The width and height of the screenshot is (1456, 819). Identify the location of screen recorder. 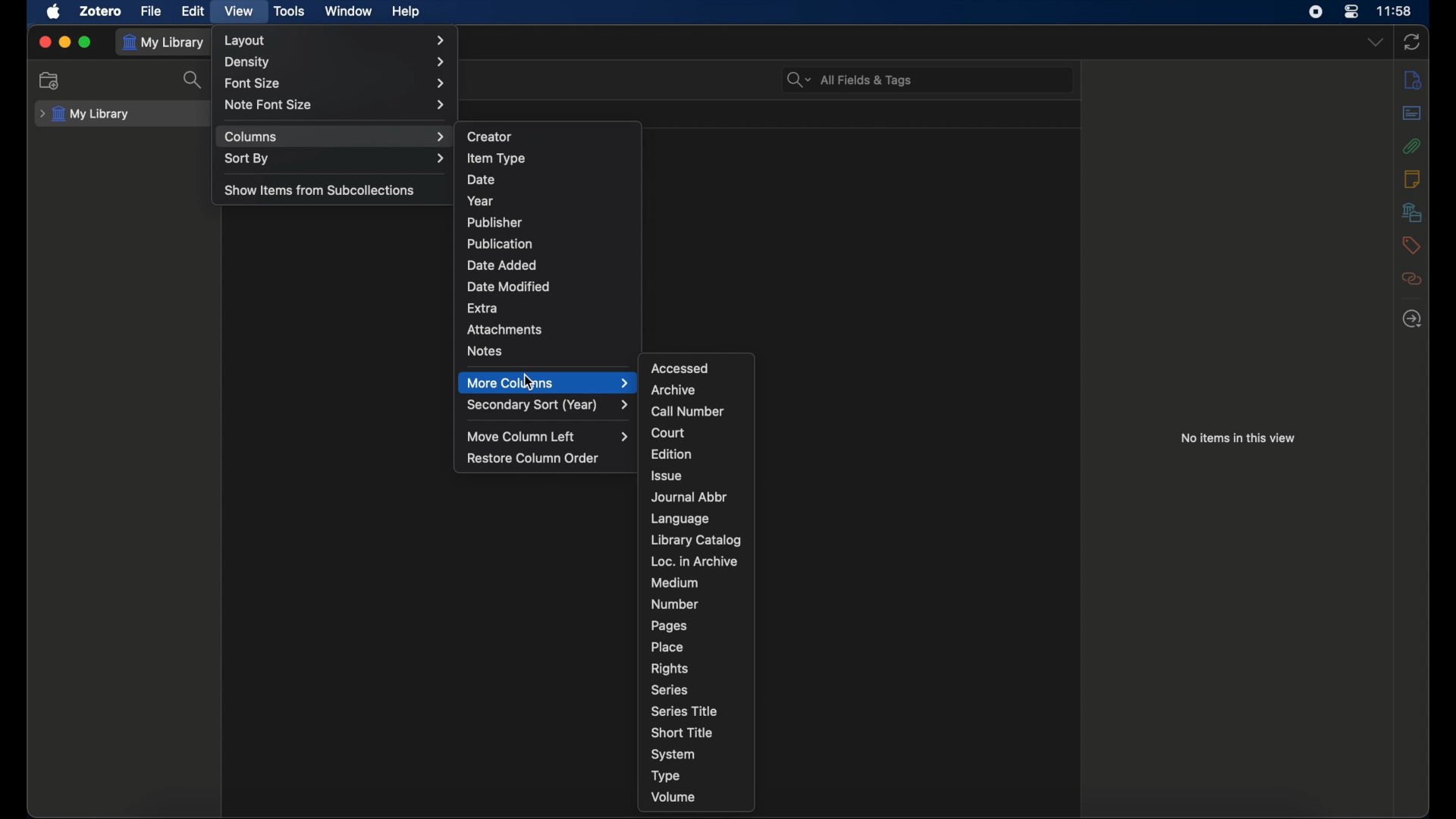
(1316, 11).